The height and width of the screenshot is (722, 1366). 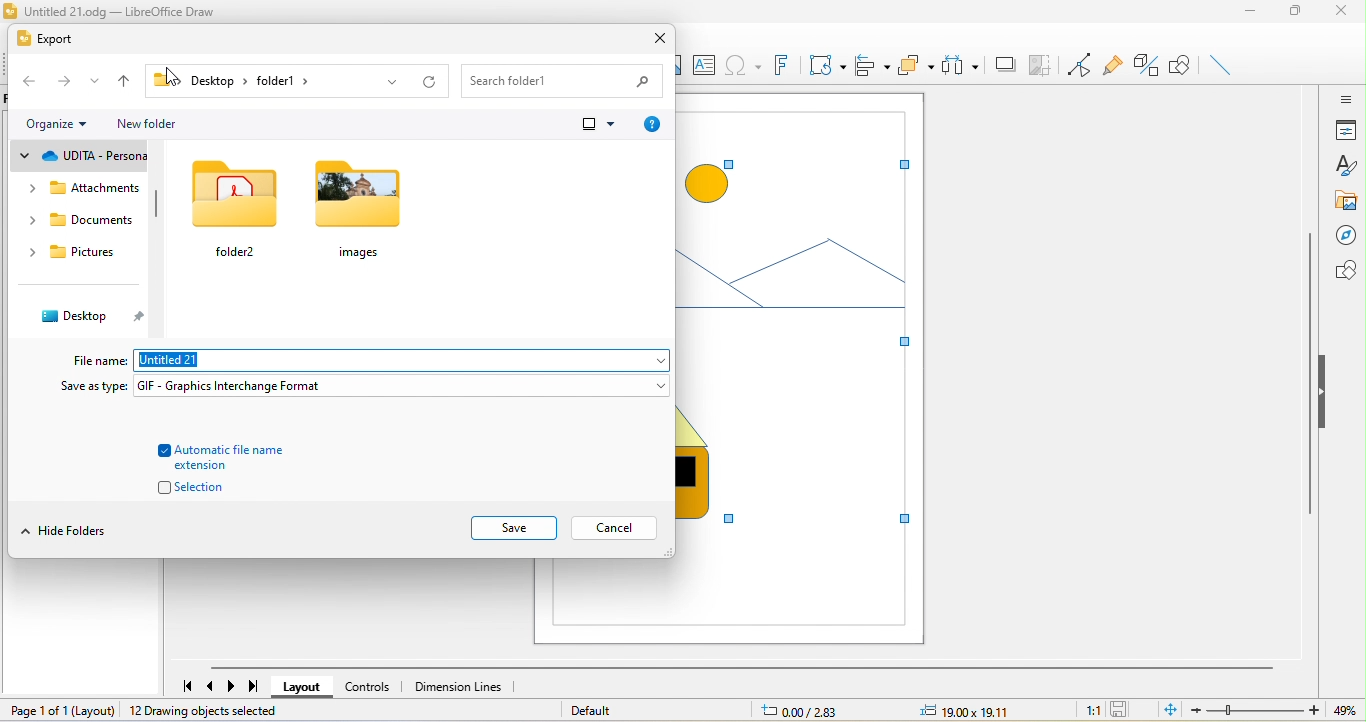 What do you see at coordinates (1344, 201) in the screenshot?
I see `gallery` at bounding box center [1344, 201].